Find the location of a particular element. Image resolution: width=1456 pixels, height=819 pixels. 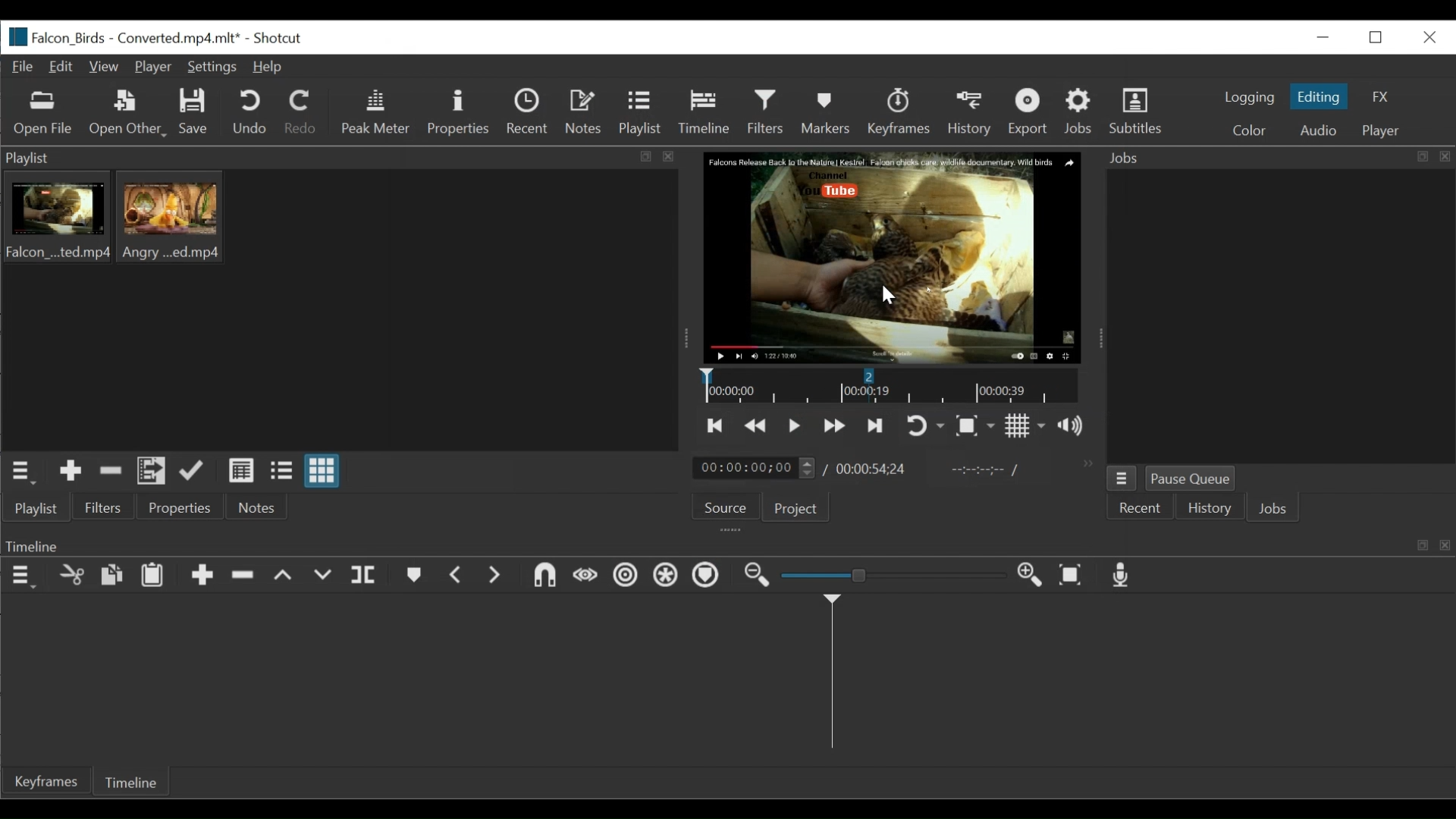

Edit is located at coordinates (64, 67).